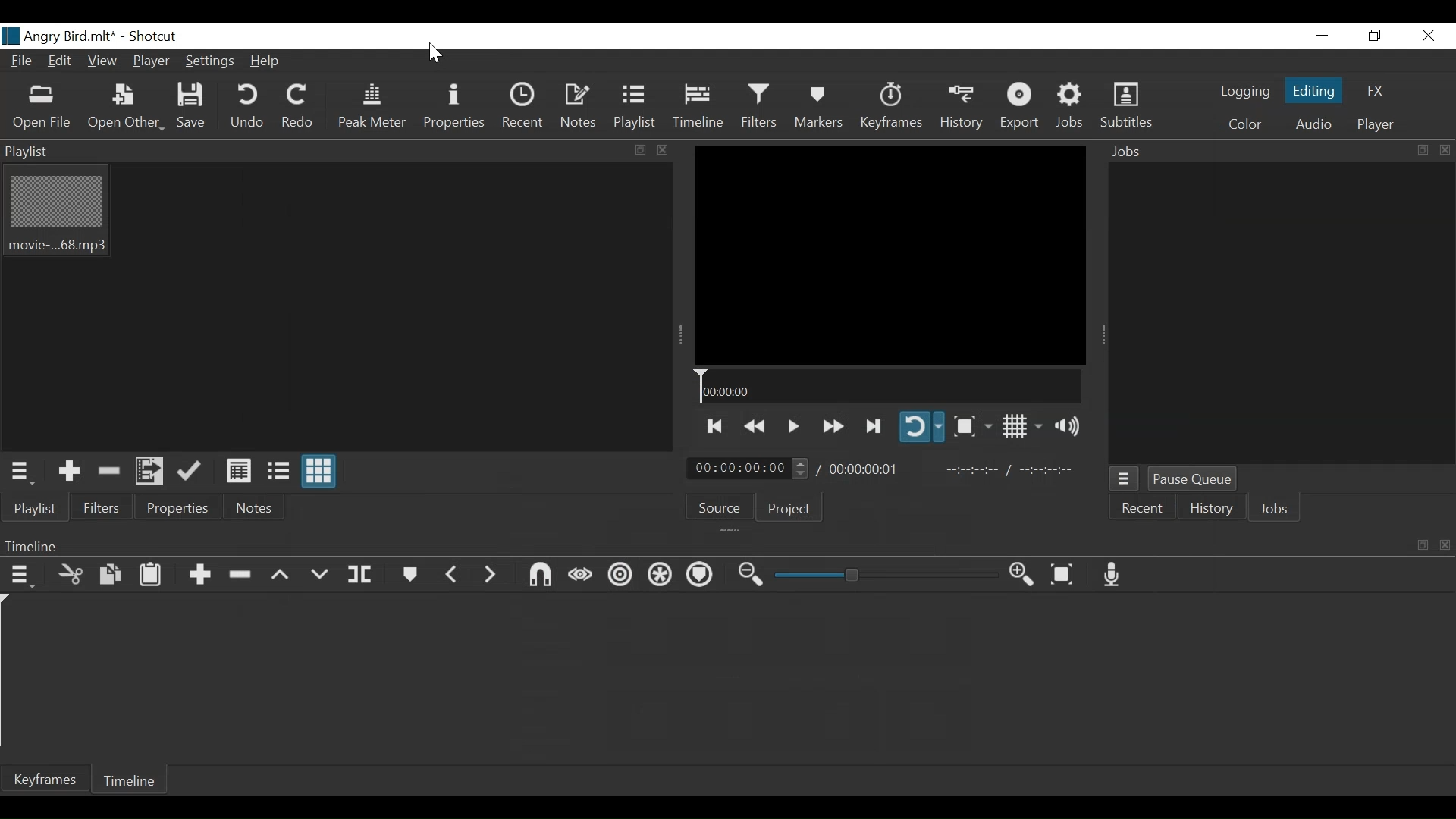 This screenshot has height=819, width=1456. What do you see at coordinates (293, 107) in the screenshot?
I see `Redo` at bounding box center [293, 107].